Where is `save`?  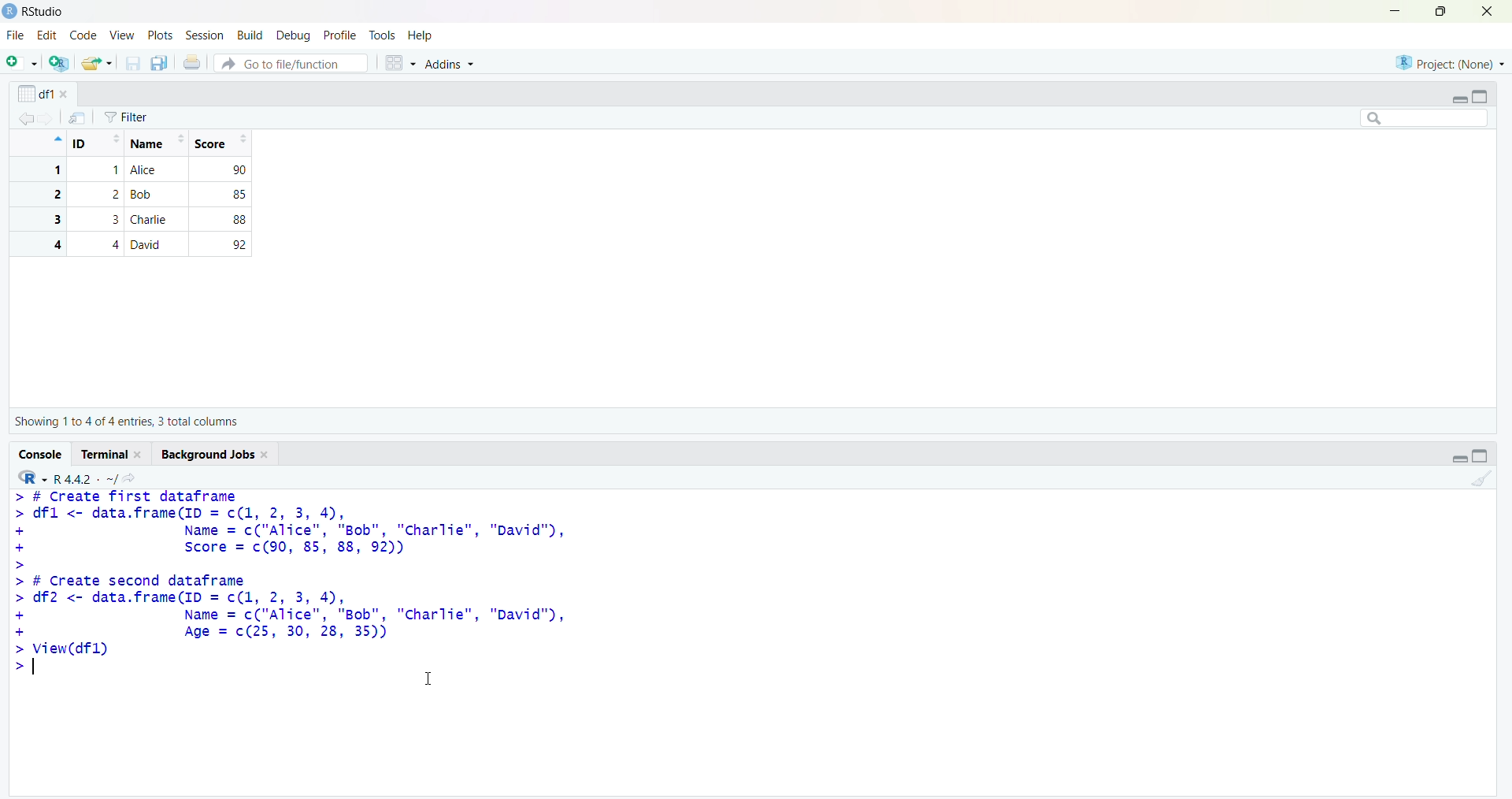
save is located at coordinates (134, 63).